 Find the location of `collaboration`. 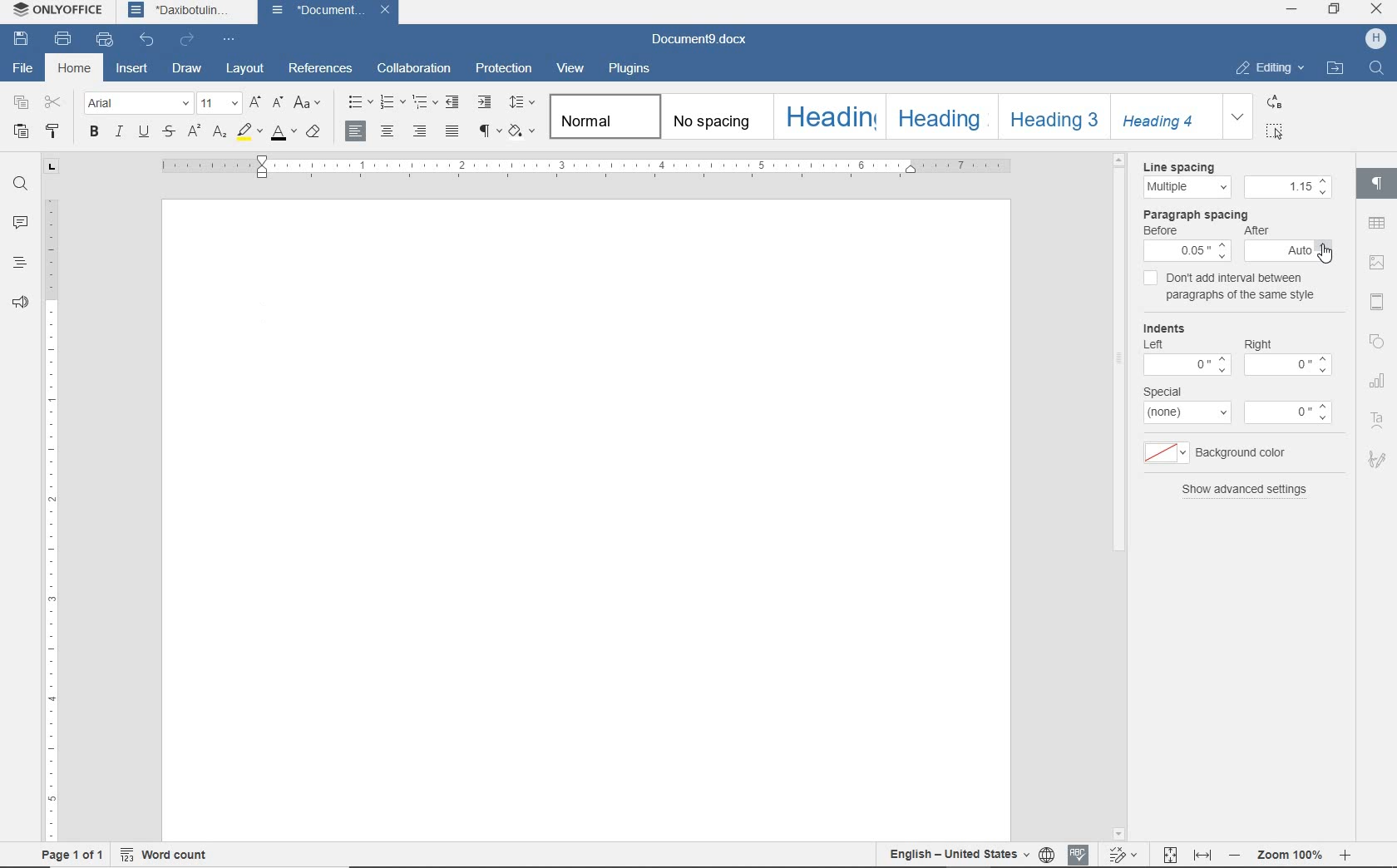

collaboration is located at coordinates (415, 70).